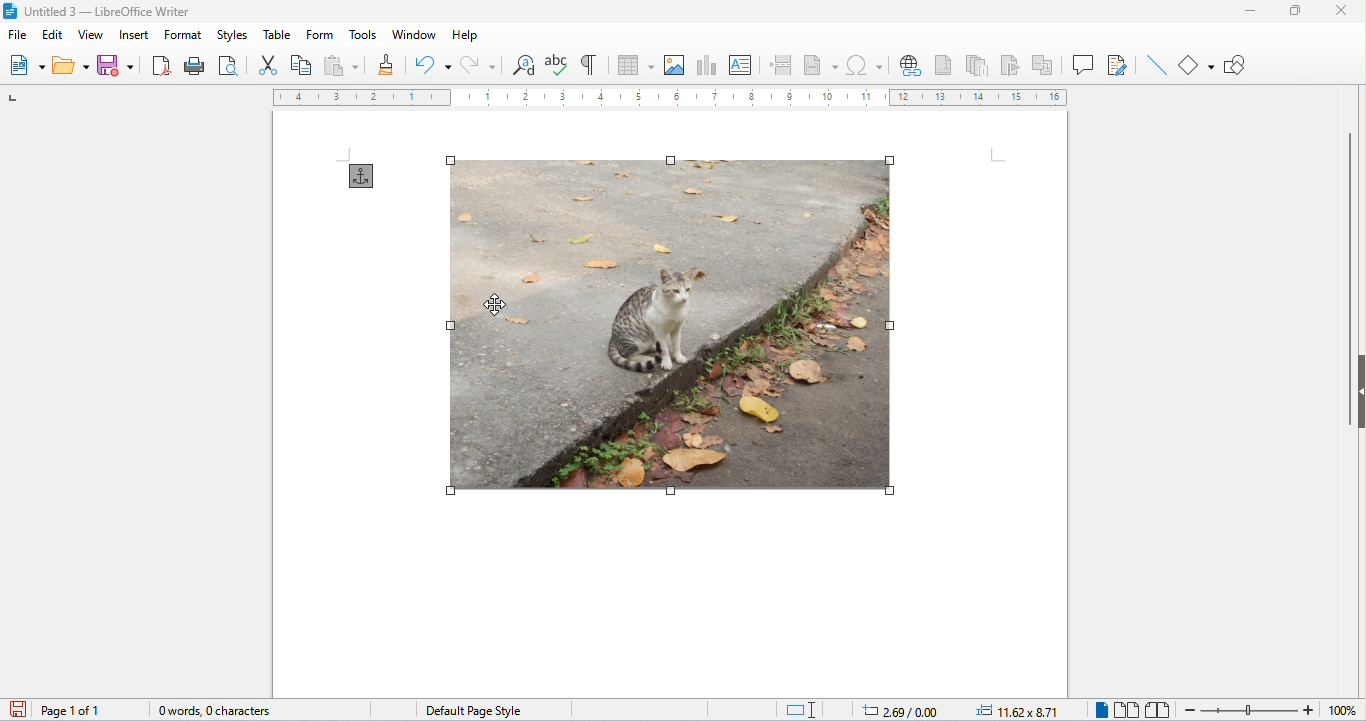  I want to click on open, so click(72, 66).